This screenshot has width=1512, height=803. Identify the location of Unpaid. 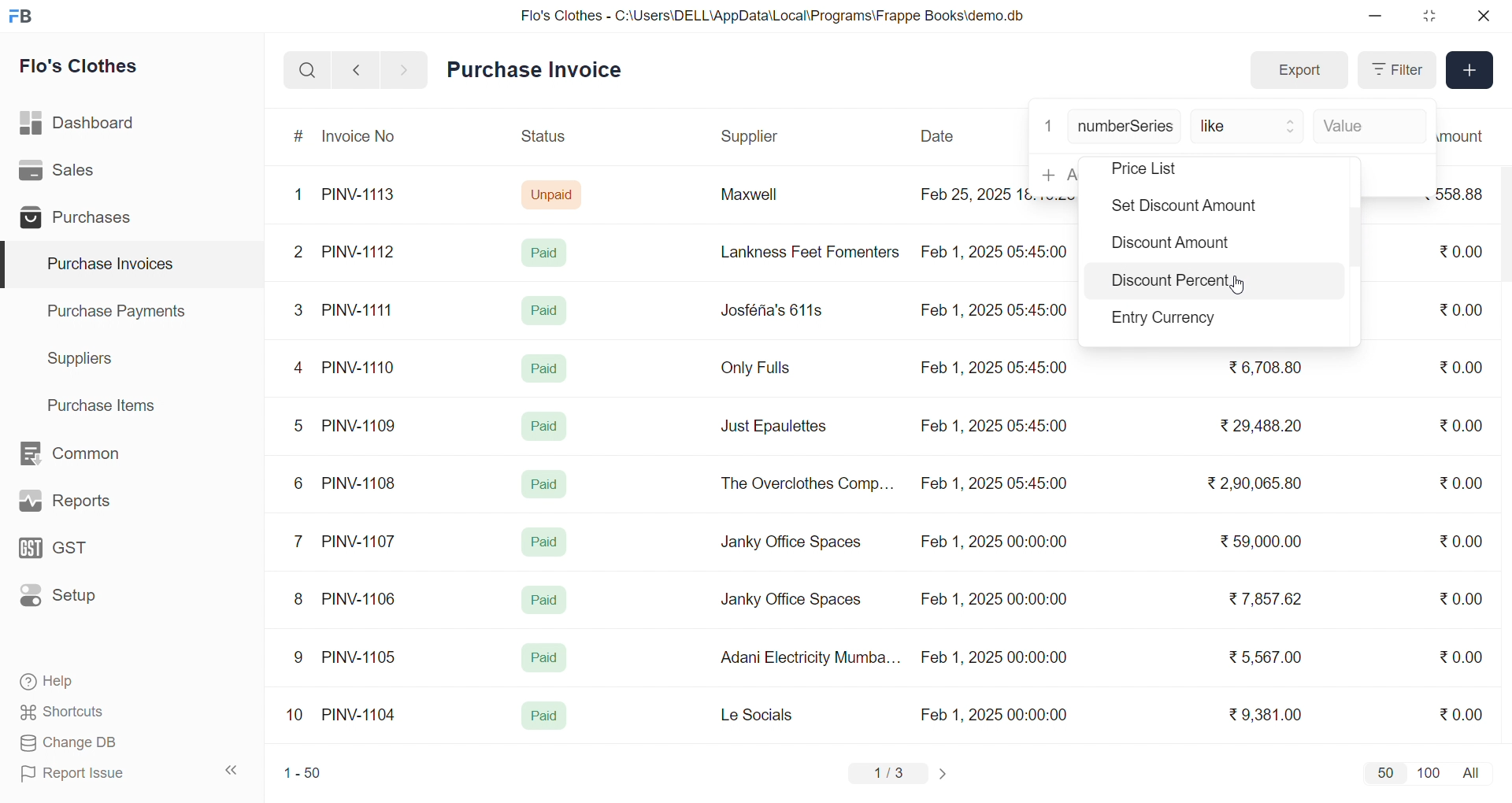
(554, 194).